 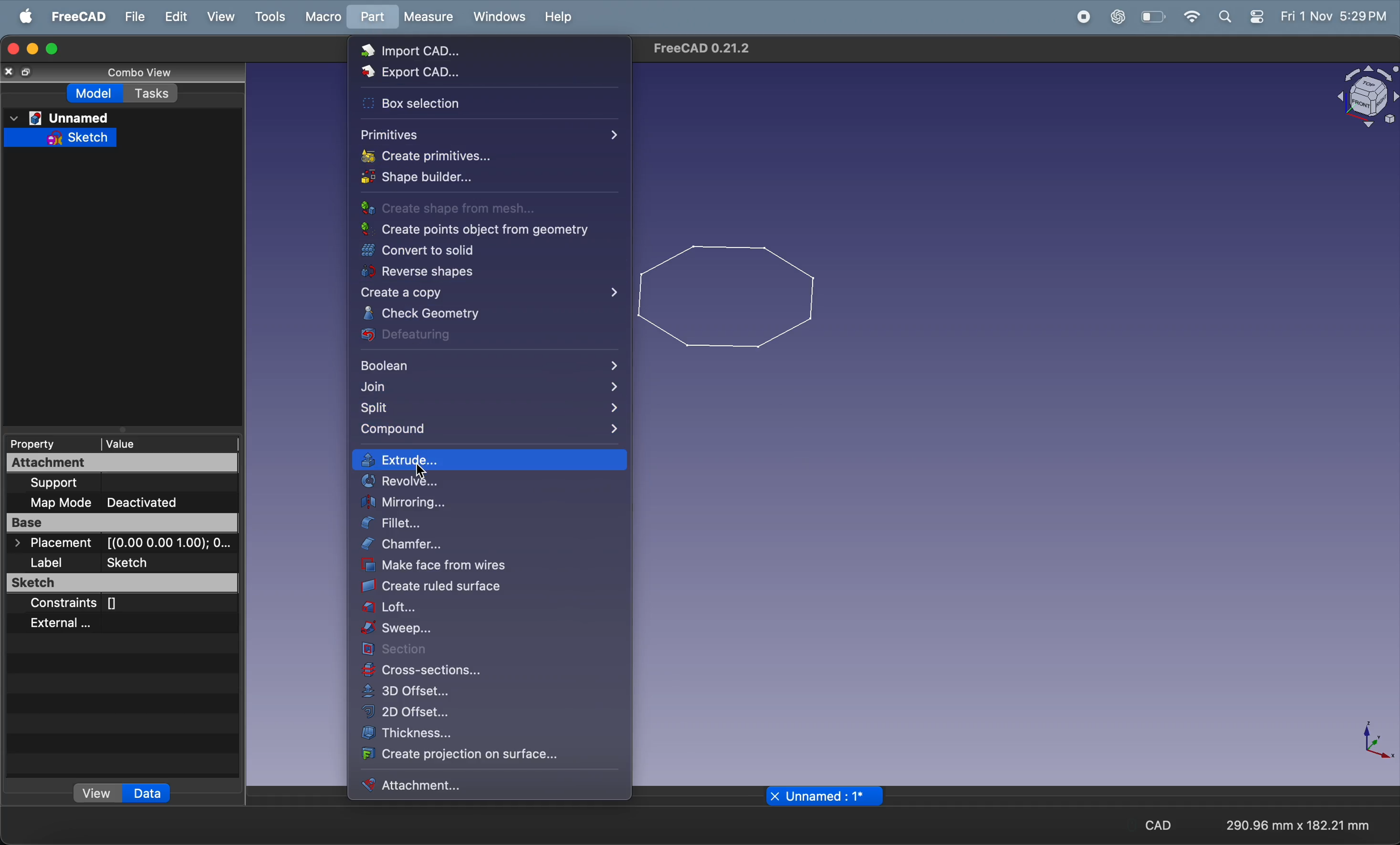 What do you see at coordinates (490, 652) in the screenshot?
I see `section` at bounding box center [490, 652].